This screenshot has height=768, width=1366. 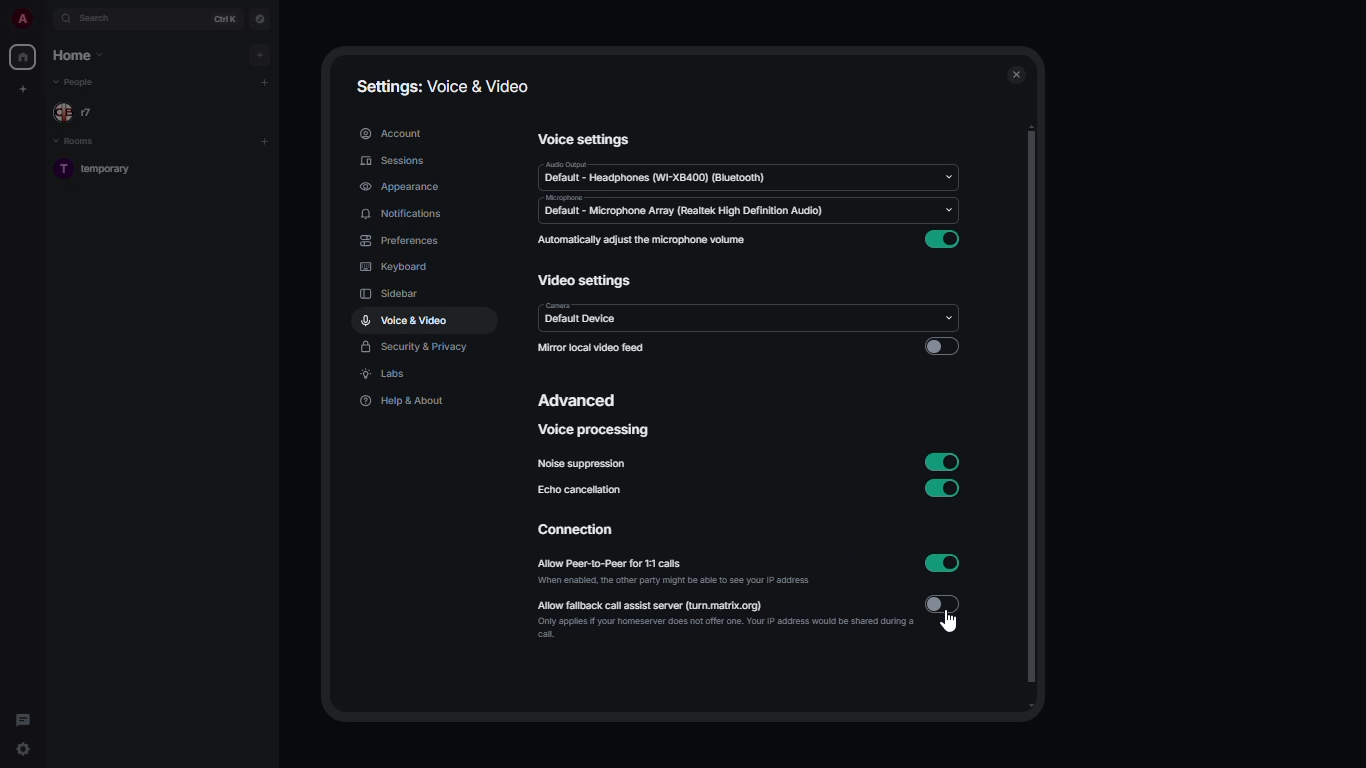 I want to click on security & privacy, so click(x=416, y=348).